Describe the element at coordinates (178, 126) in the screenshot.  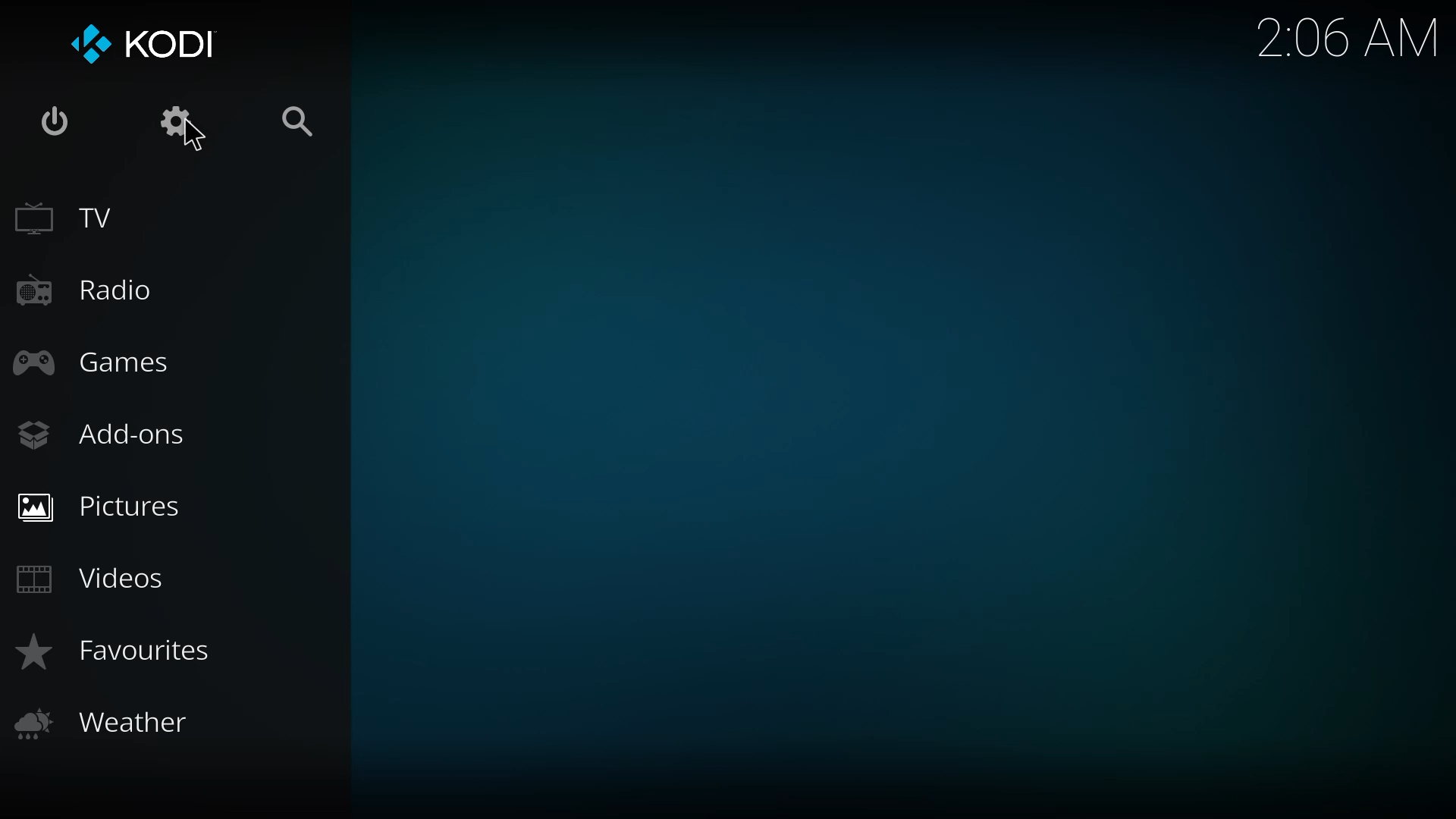
I see `settings` at that location.